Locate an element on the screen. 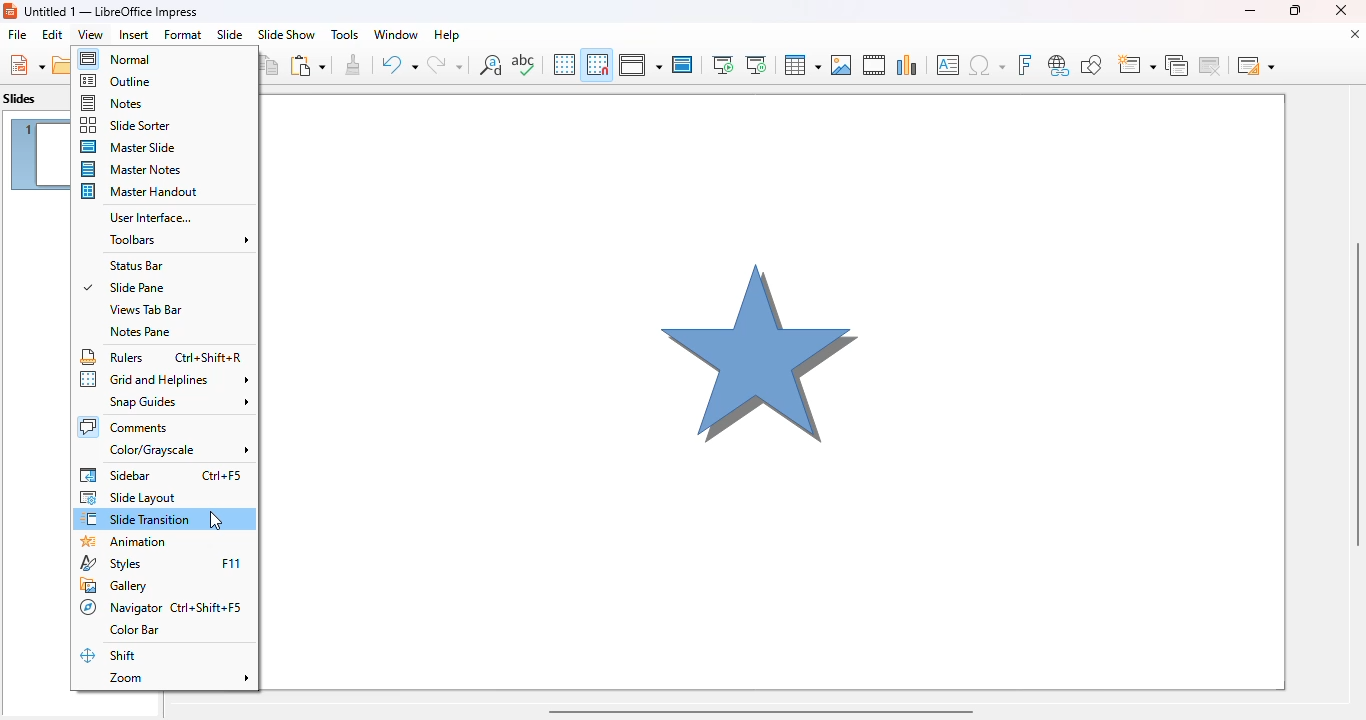  slide show is located at coordinates (287, 34).